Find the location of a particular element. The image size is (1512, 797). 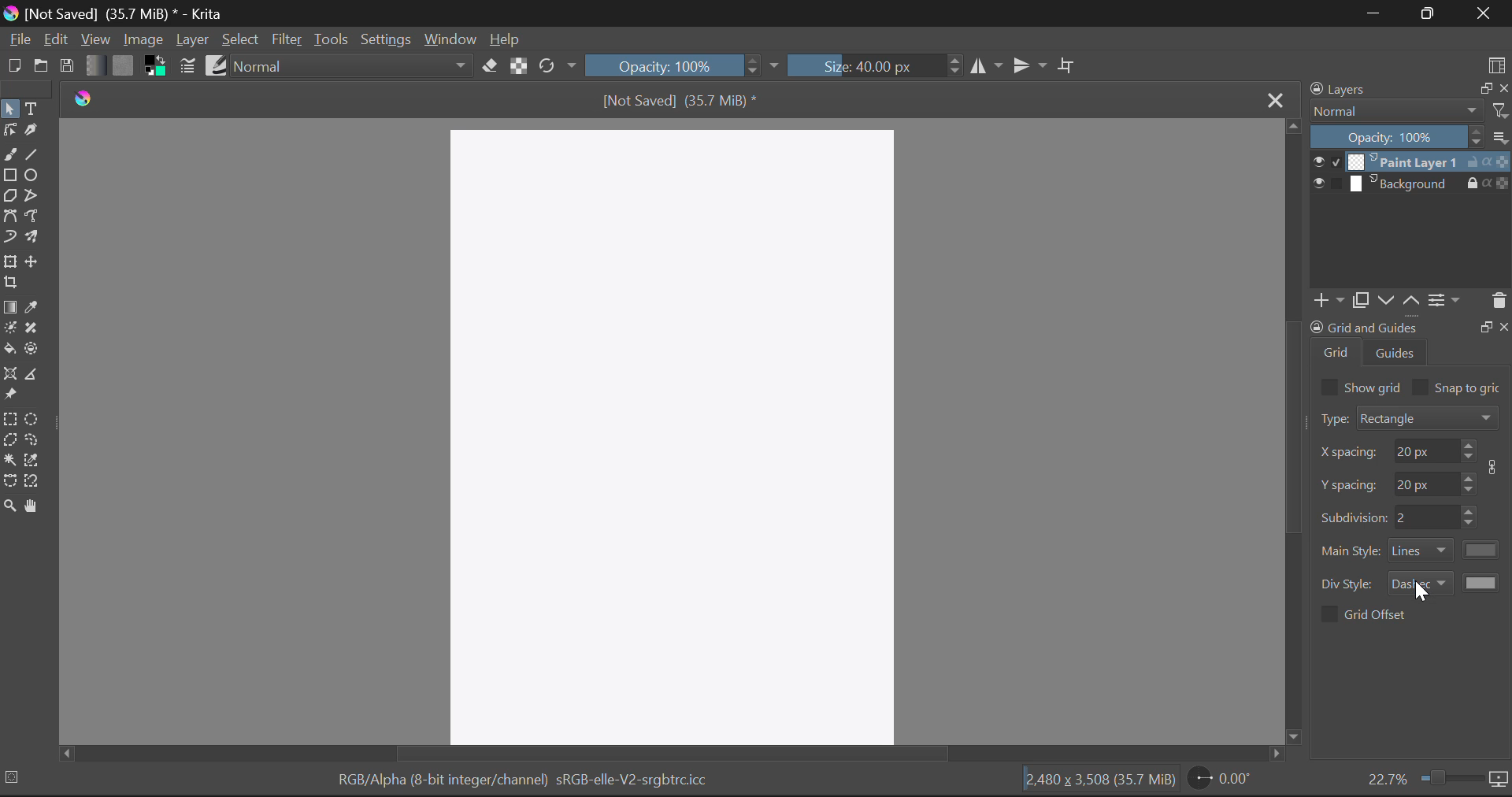

up is located at coordinates (1410, 301).